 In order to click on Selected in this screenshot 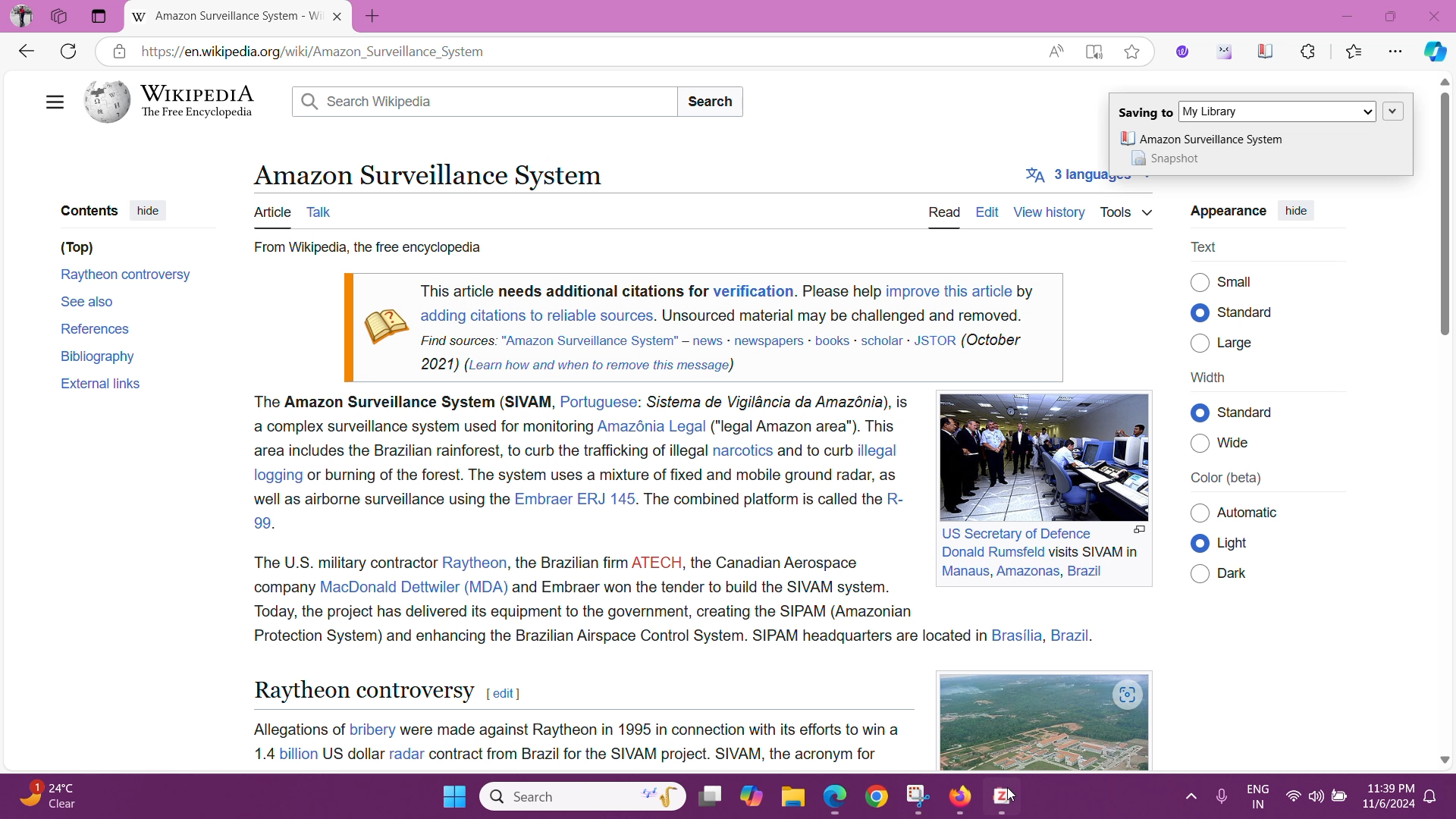, I will do `click(1200, 544)`.